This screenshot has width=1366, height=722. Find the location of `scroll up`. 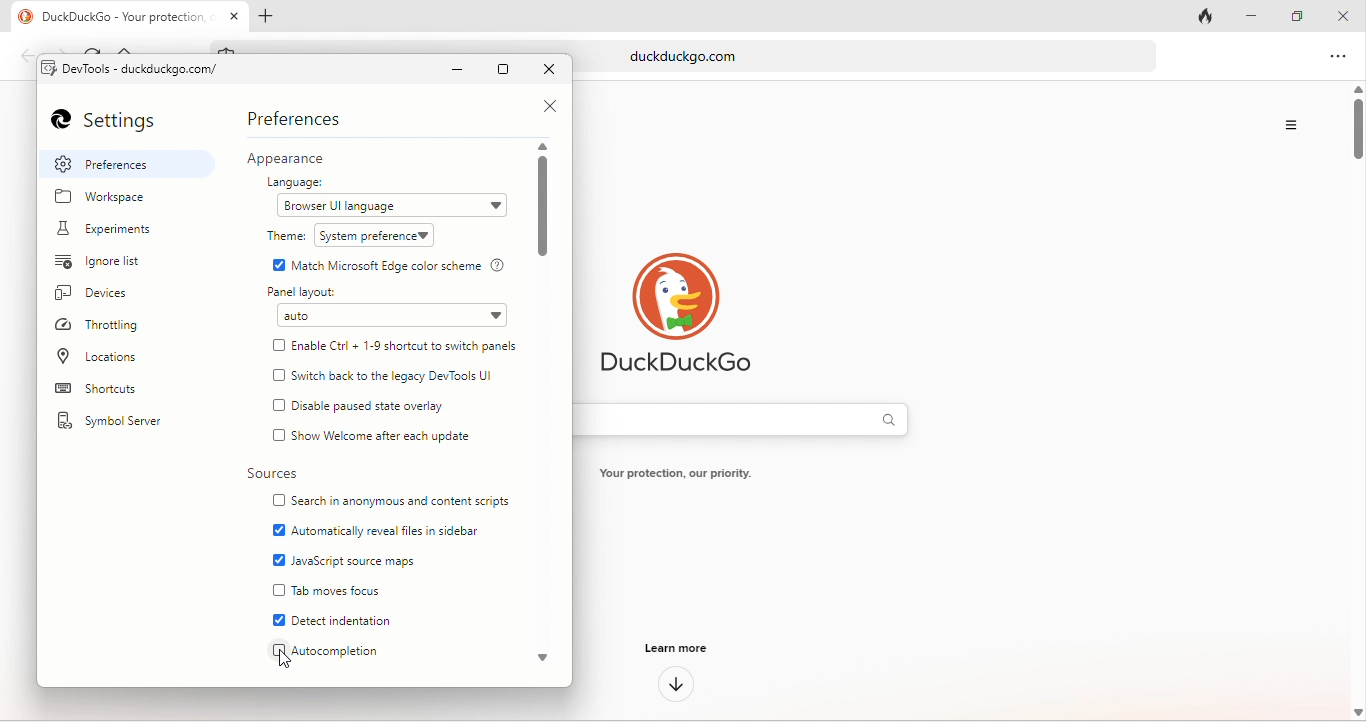

scroll up is located at coordinates (541, 146).